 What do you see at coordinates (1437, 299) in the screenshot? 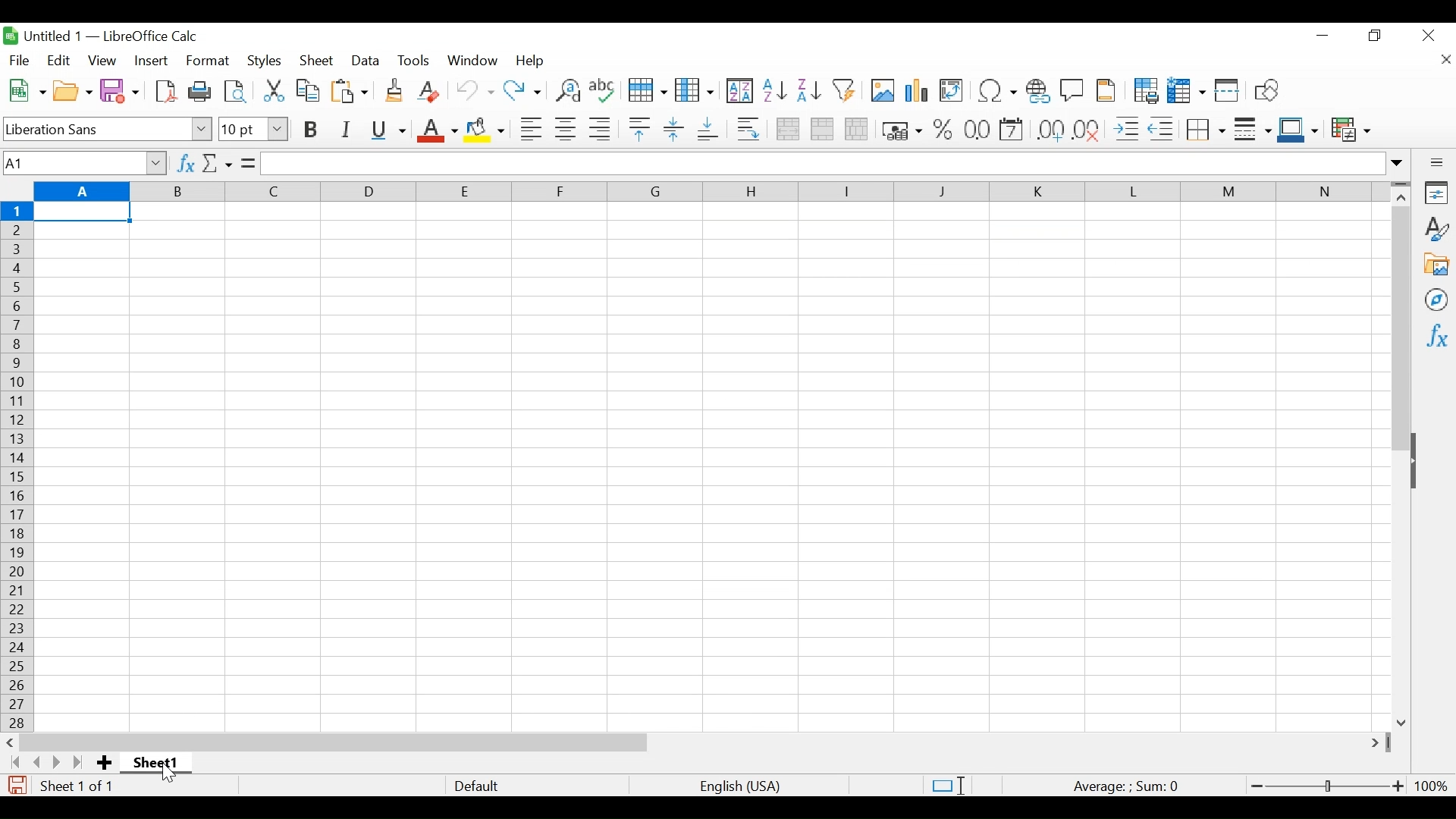
I see `Navigator` at bounding box center [1437, 299].